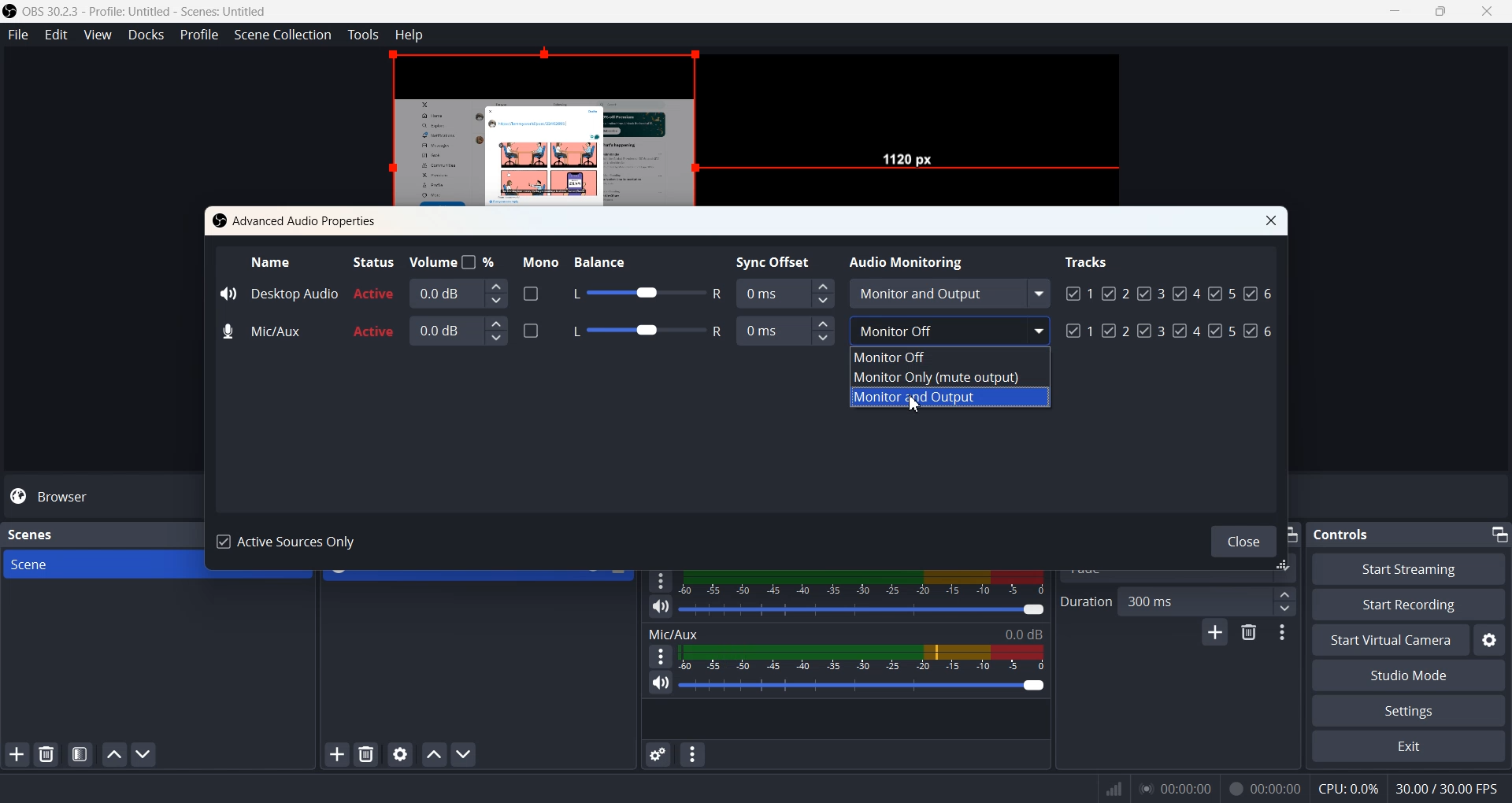 Image resolution: width=1512 pixels, height=803 pixels. I want to click on 300 ms, so click(1209, 601).